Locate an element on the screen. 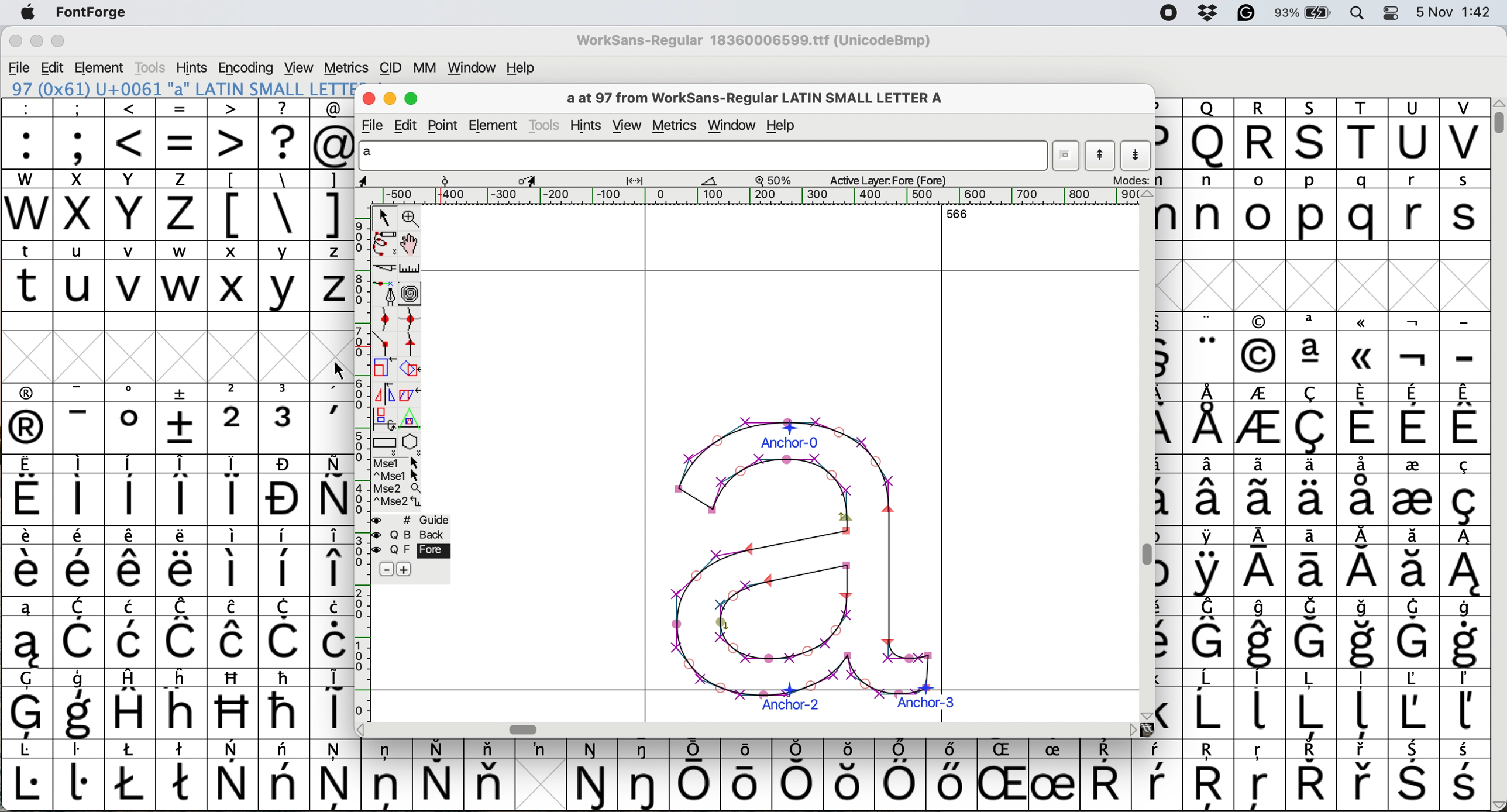  Y is located at coordinates (132, 205).